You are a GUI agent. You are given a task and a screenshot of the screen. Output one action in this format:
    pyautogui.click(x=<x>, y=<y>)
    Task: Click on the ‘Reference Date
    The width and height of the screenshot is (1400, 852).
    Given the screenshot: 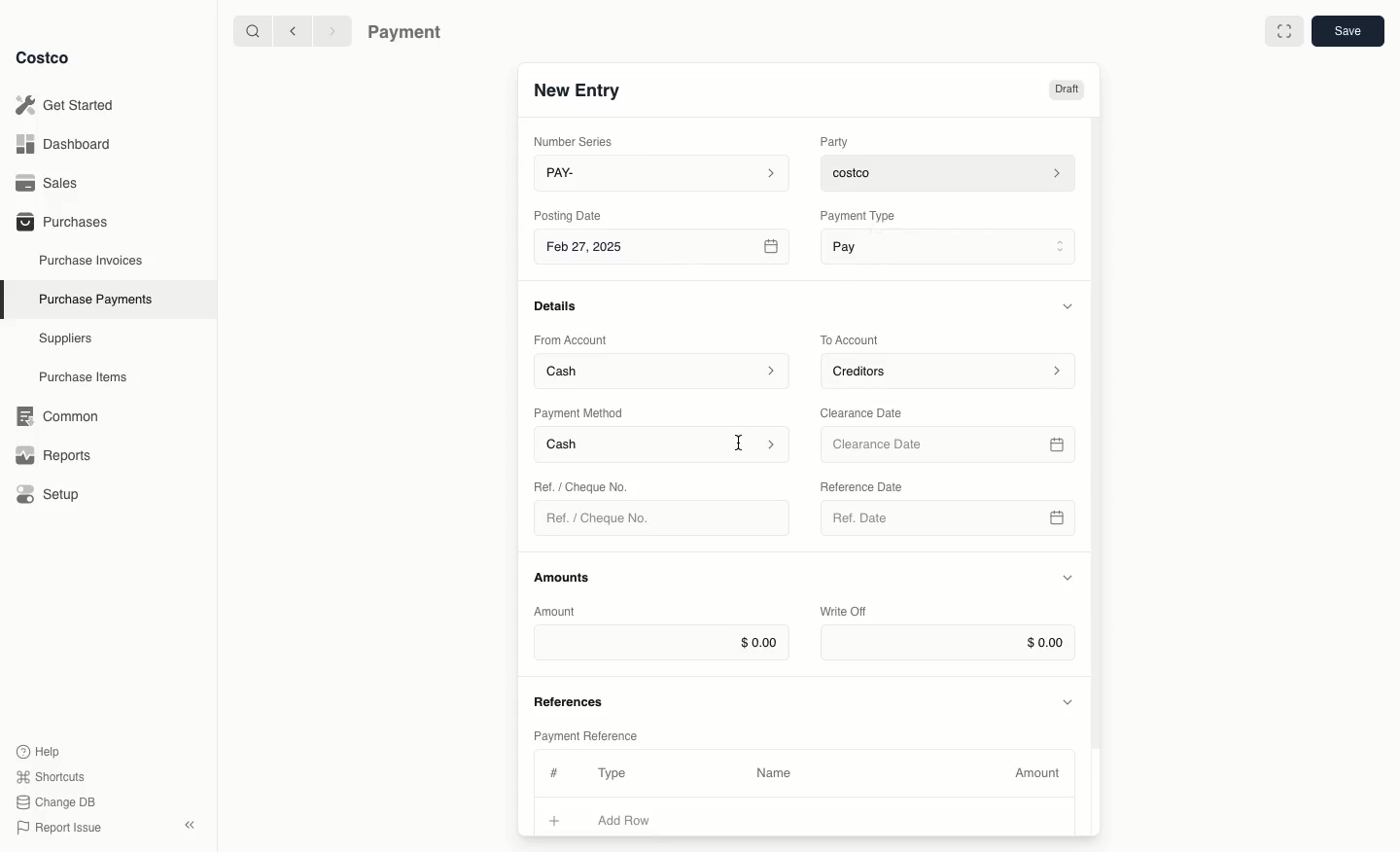 What is the action you would take?
    pyautogui.click(x=863, y=486)
    